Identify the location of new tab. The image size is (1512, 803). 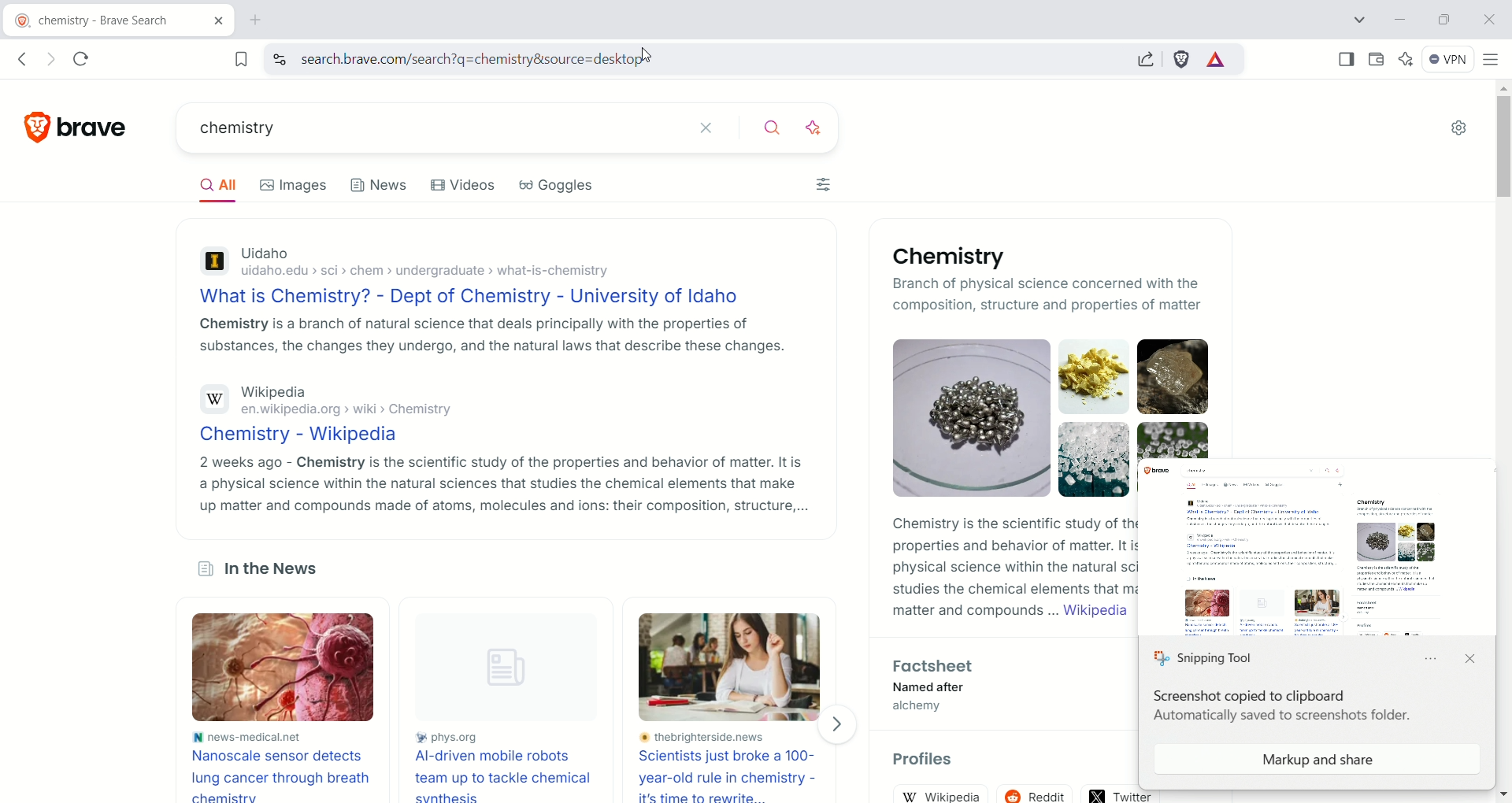
(257, 20).